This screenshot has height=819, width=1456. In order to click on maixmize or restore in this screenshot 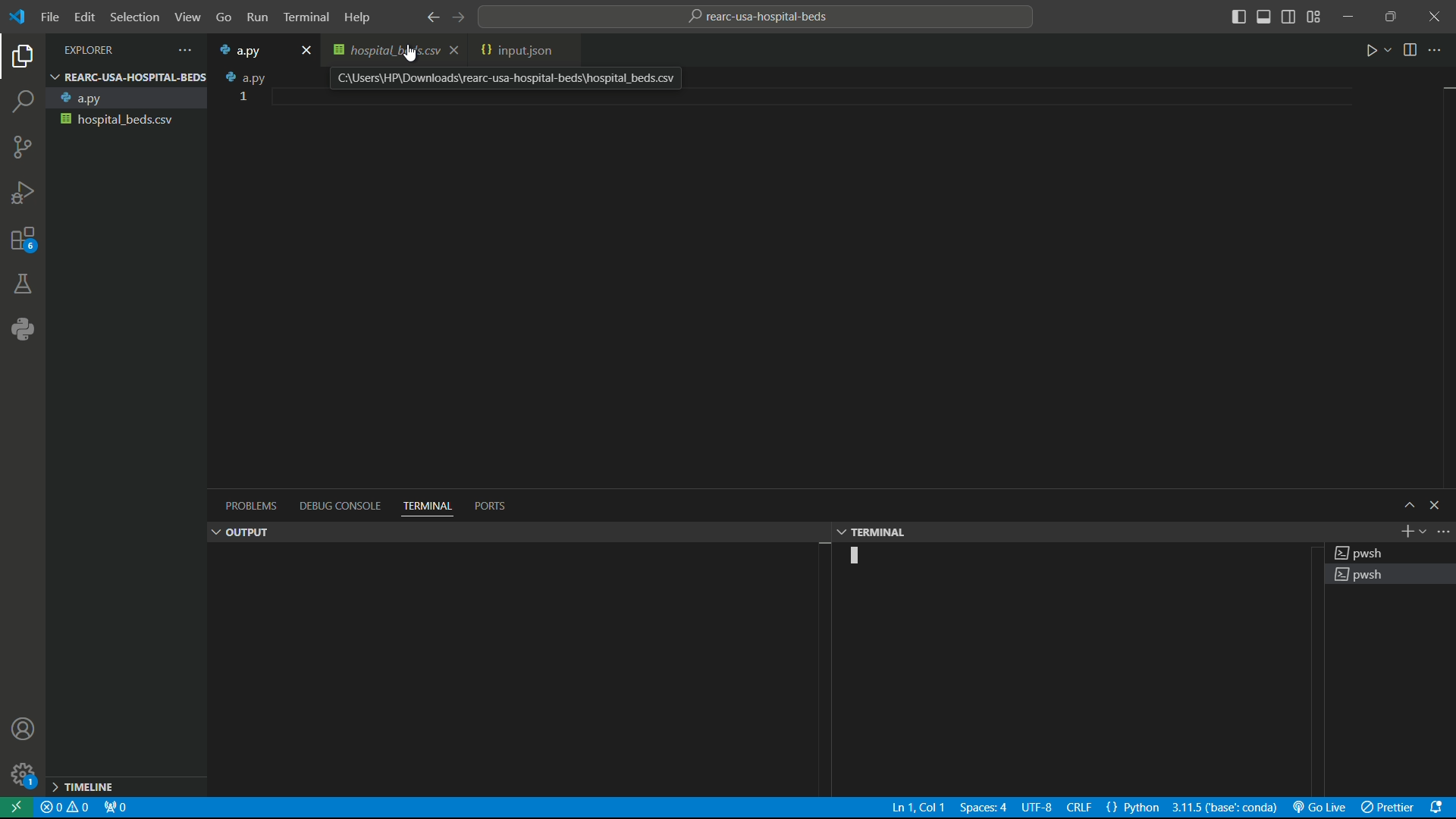, I will do `click(1391, 17)`.